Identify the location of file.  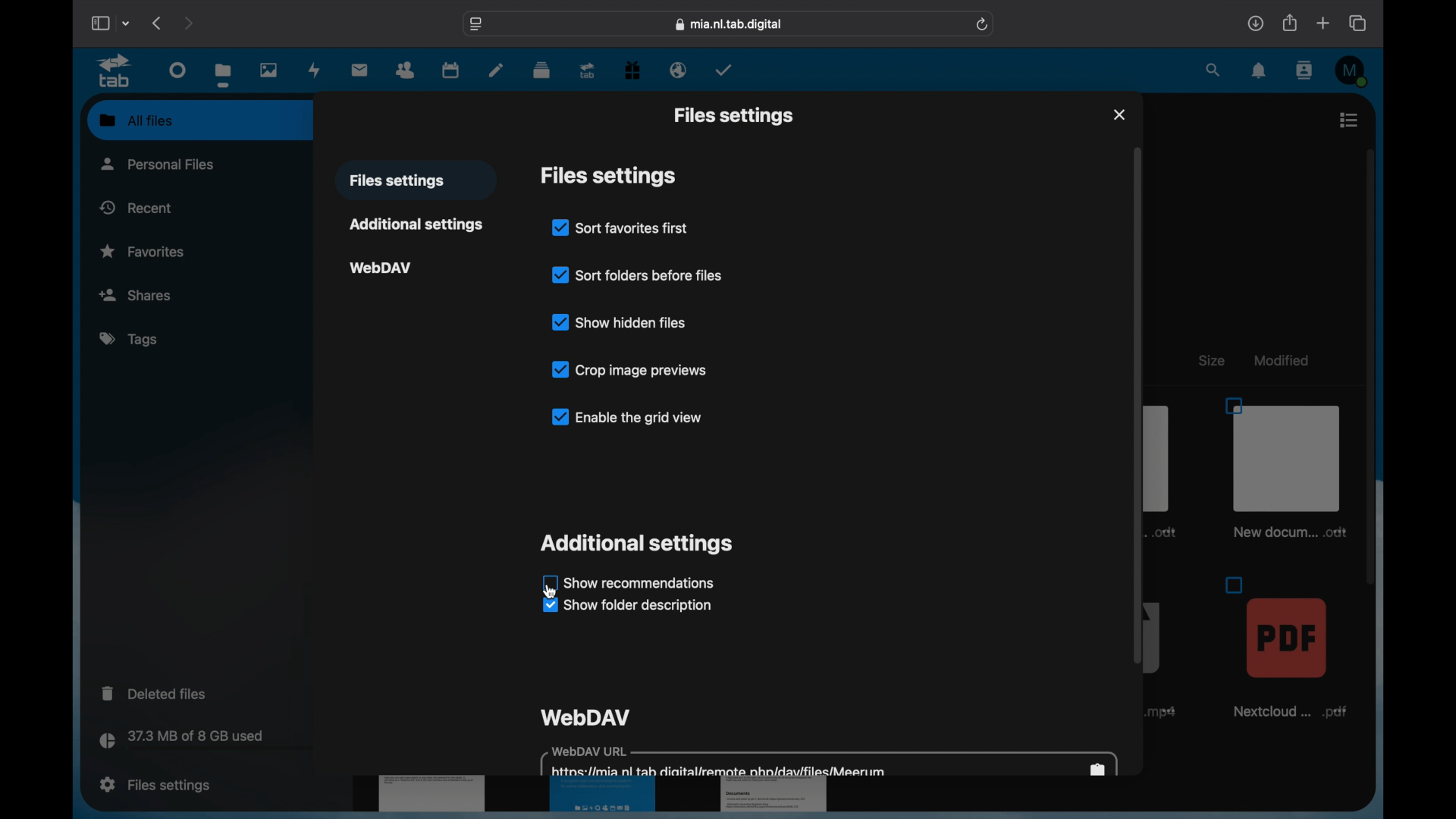
(1282, 468).